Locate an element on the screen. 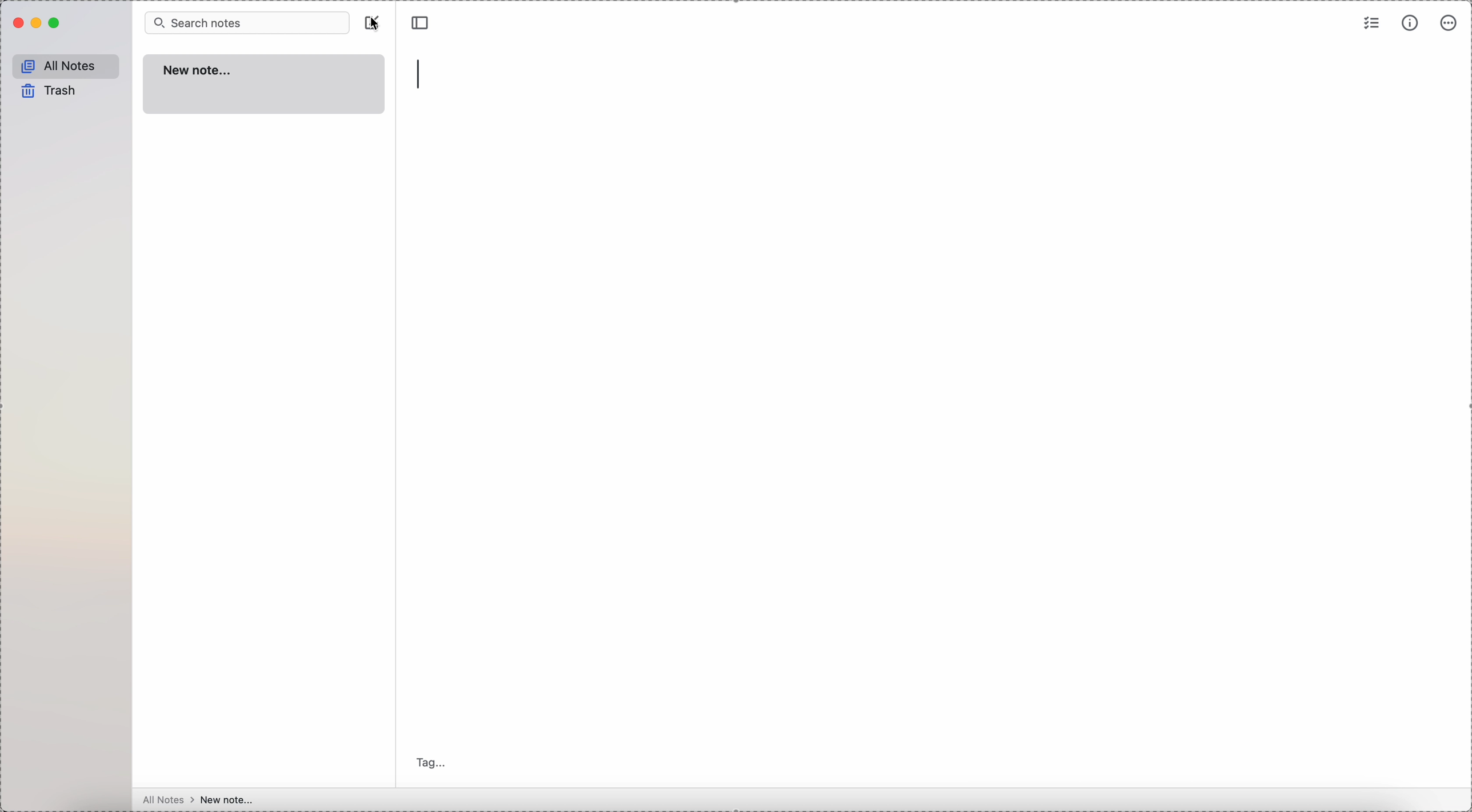 The width and height of the screenshot is (1472, 812). new note is located at coordinates (227, 798).